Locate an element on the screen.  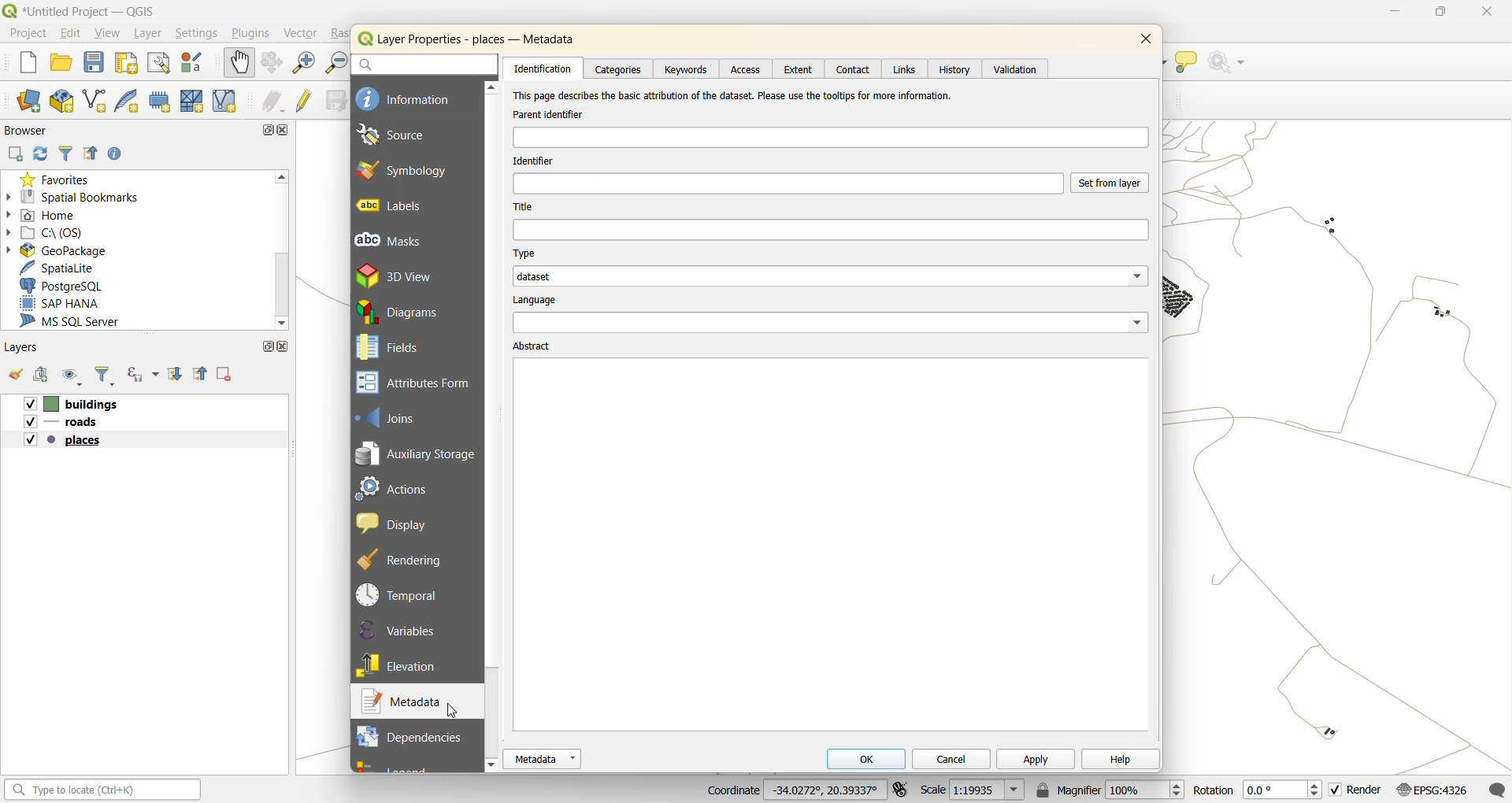
3d view is located at coordinates (396, 274).